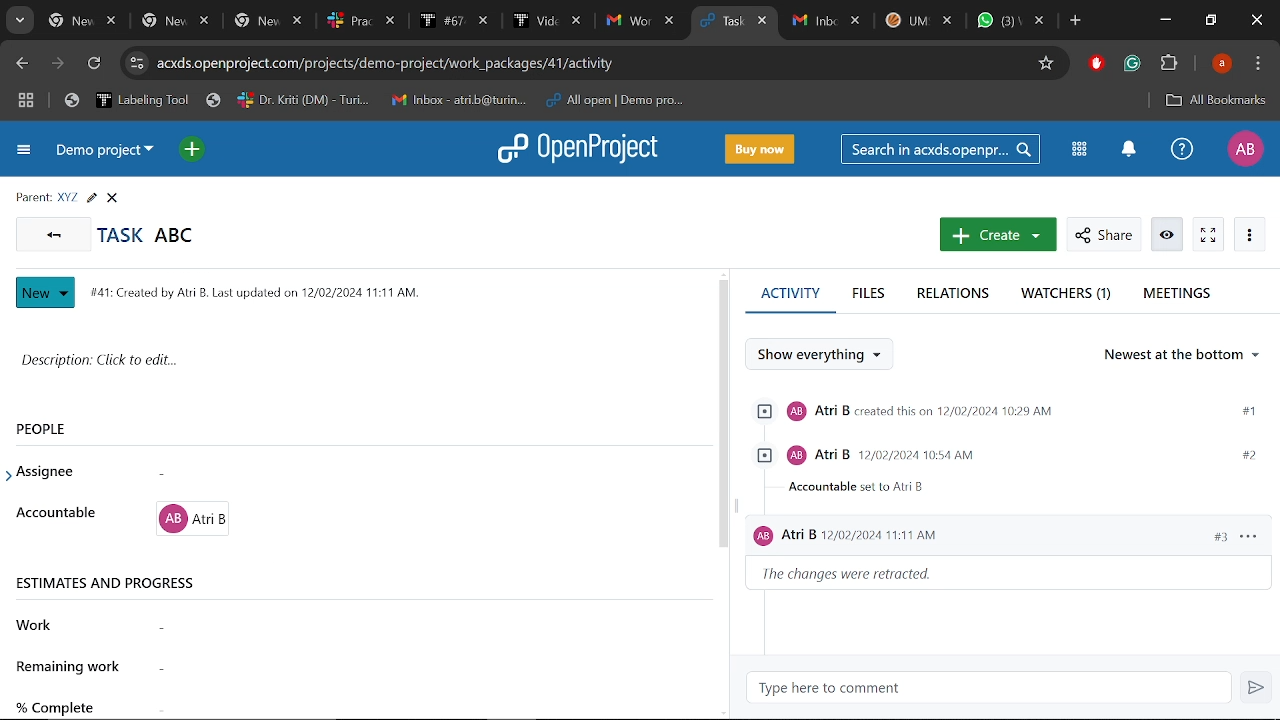 The width and height of the screenshot is (1280, 720). I want to click on Profile, so click(1244, 148).